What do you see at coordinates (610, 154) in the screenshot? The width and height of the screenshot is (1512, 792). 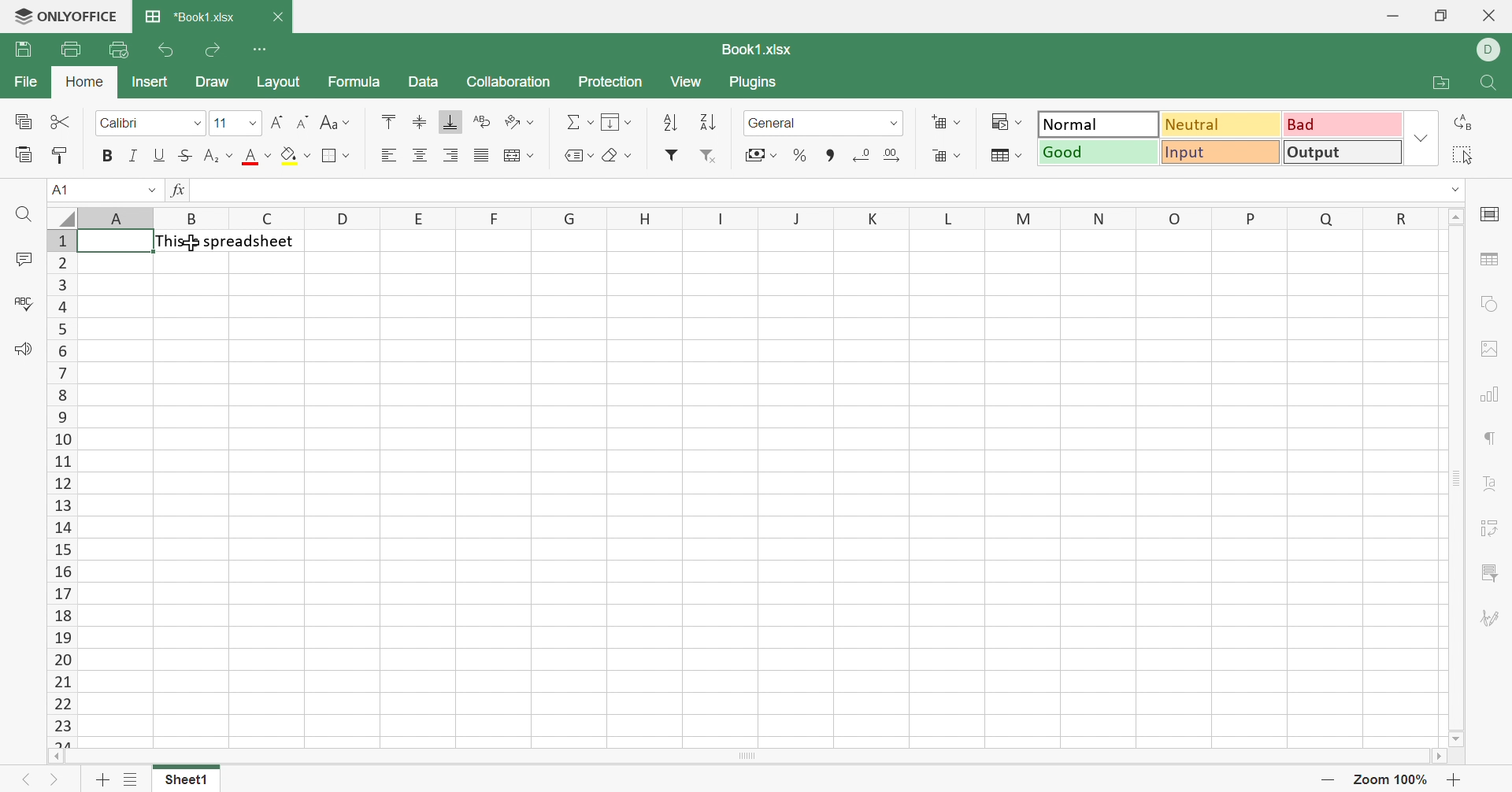 I see `Clear` at bounding box center [610, 154].